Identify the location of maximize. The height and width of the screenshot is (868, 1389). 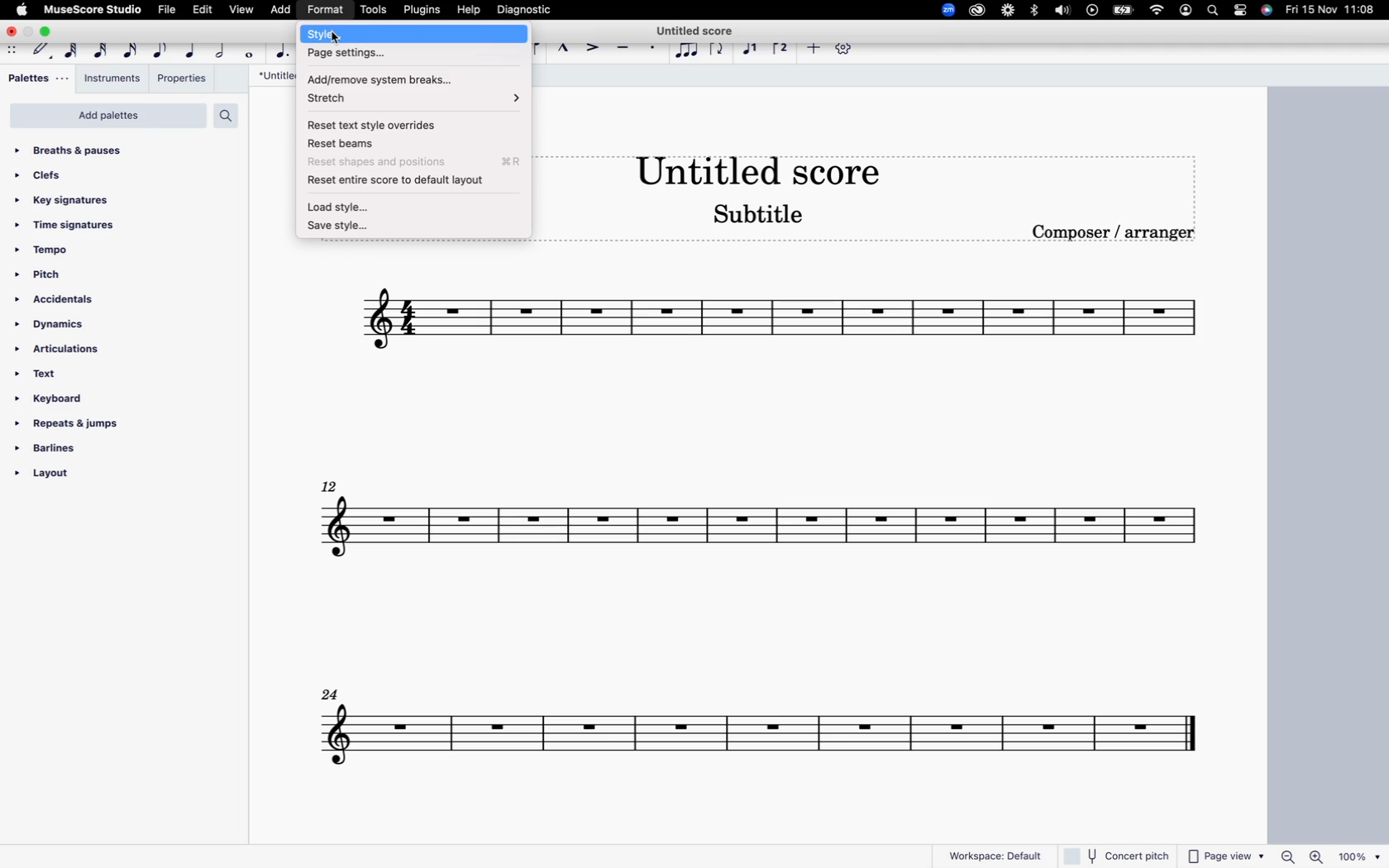
(48, 32).